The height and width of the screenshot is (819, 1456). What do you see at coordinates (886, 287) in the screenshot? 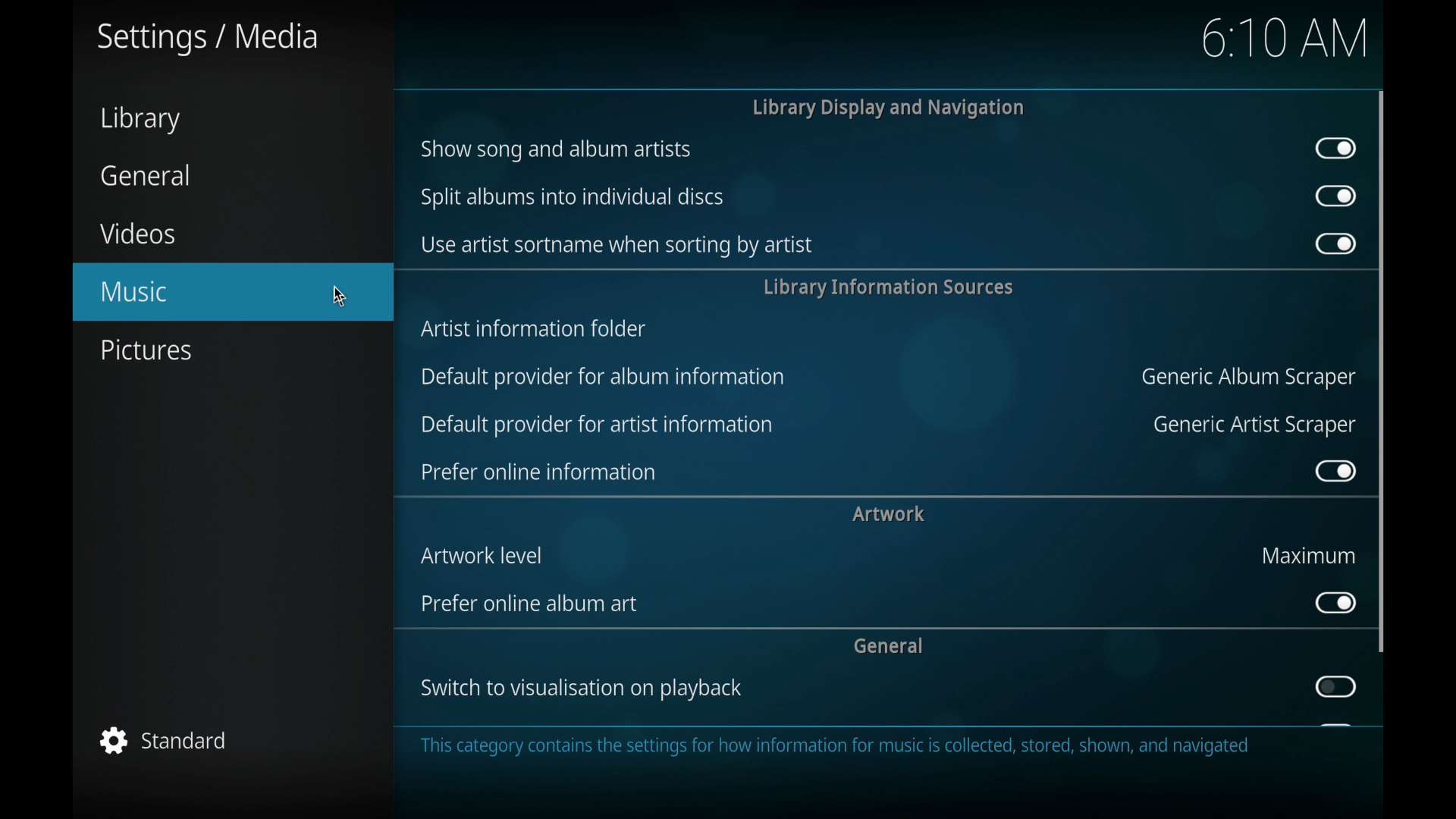
I see `library information sources` at bounding box center [886, 287].